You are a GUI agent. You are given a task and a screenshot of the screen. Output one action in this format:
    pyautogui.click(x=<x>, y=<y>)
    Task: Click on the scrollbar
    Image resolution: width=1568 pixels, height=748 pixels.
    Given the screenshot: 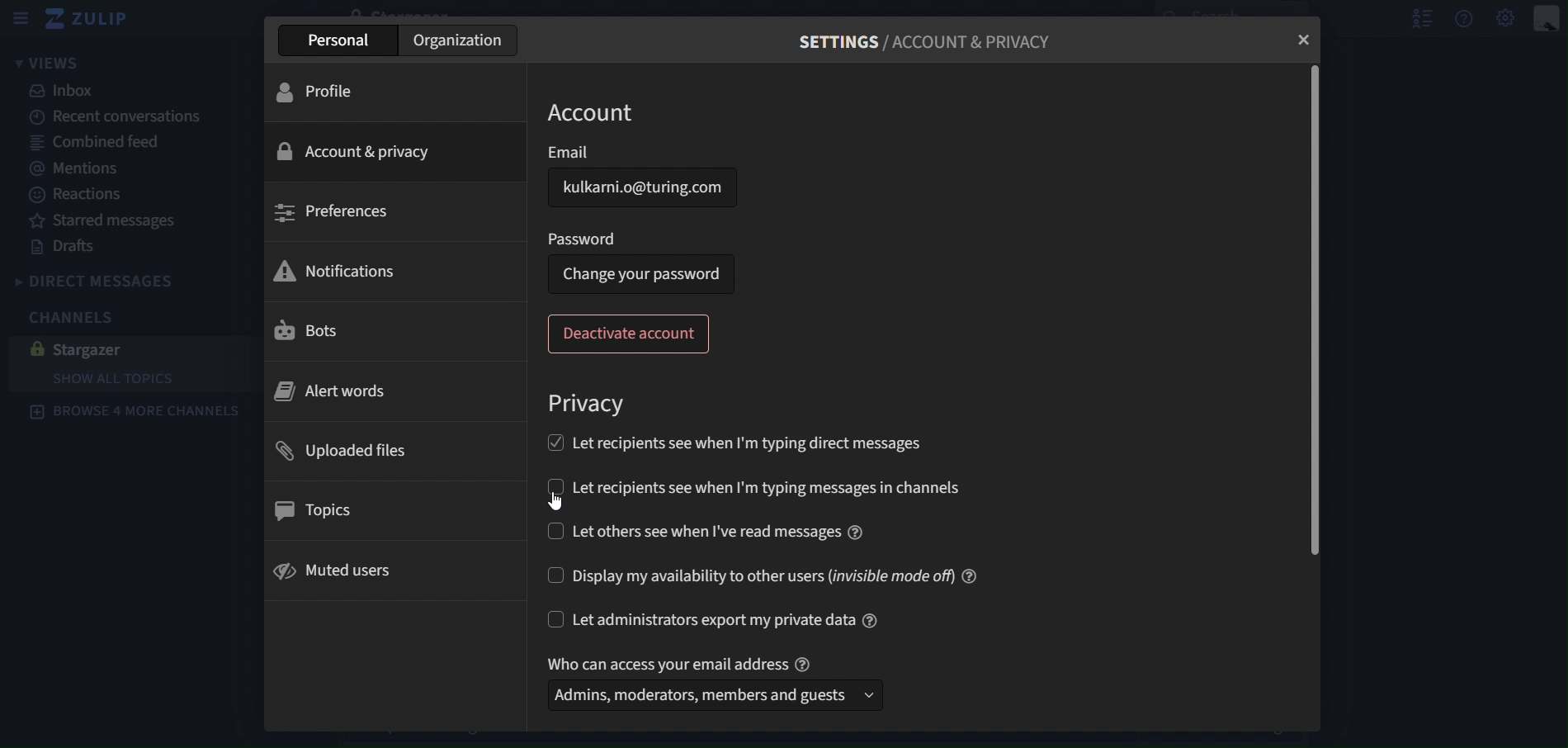 What is the action you would take?
    pyautogui.click(x=1313, y=310)
    